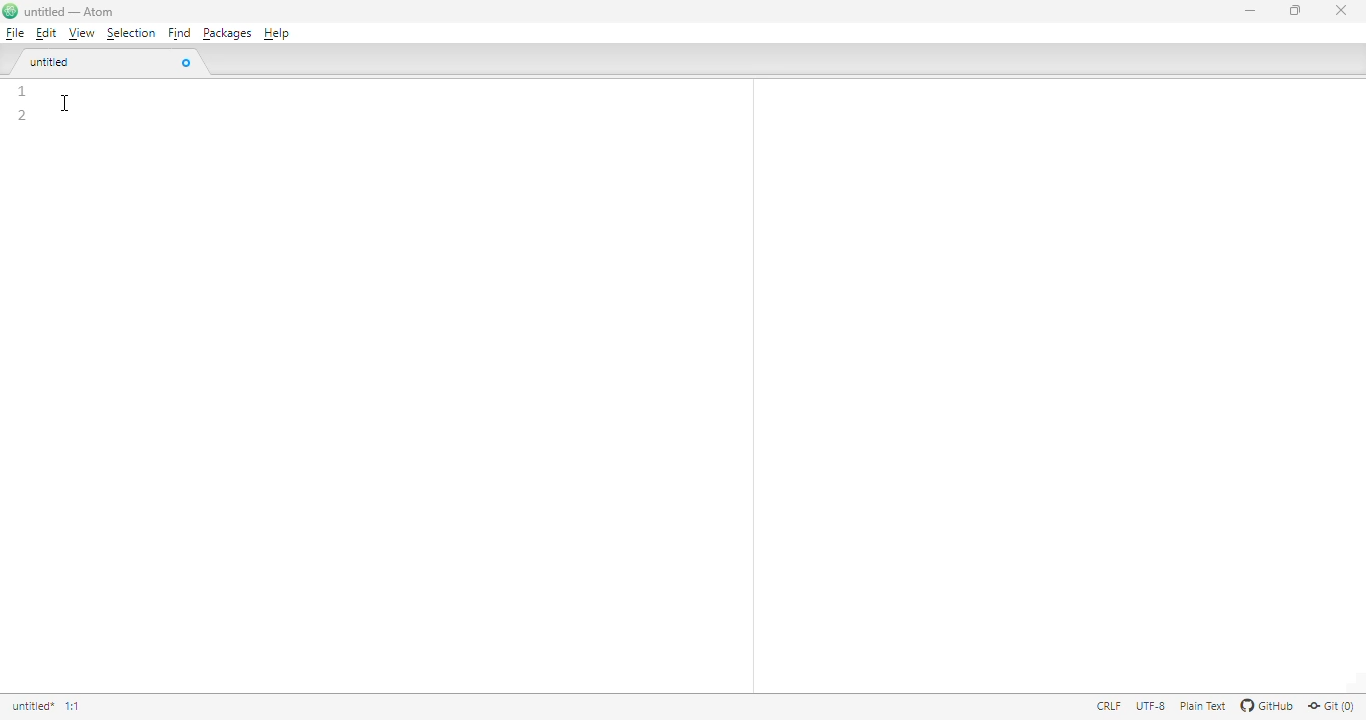 The width and height of the screenshot is (1366, 720). I want to click on CRLF, so click(1107, 707).